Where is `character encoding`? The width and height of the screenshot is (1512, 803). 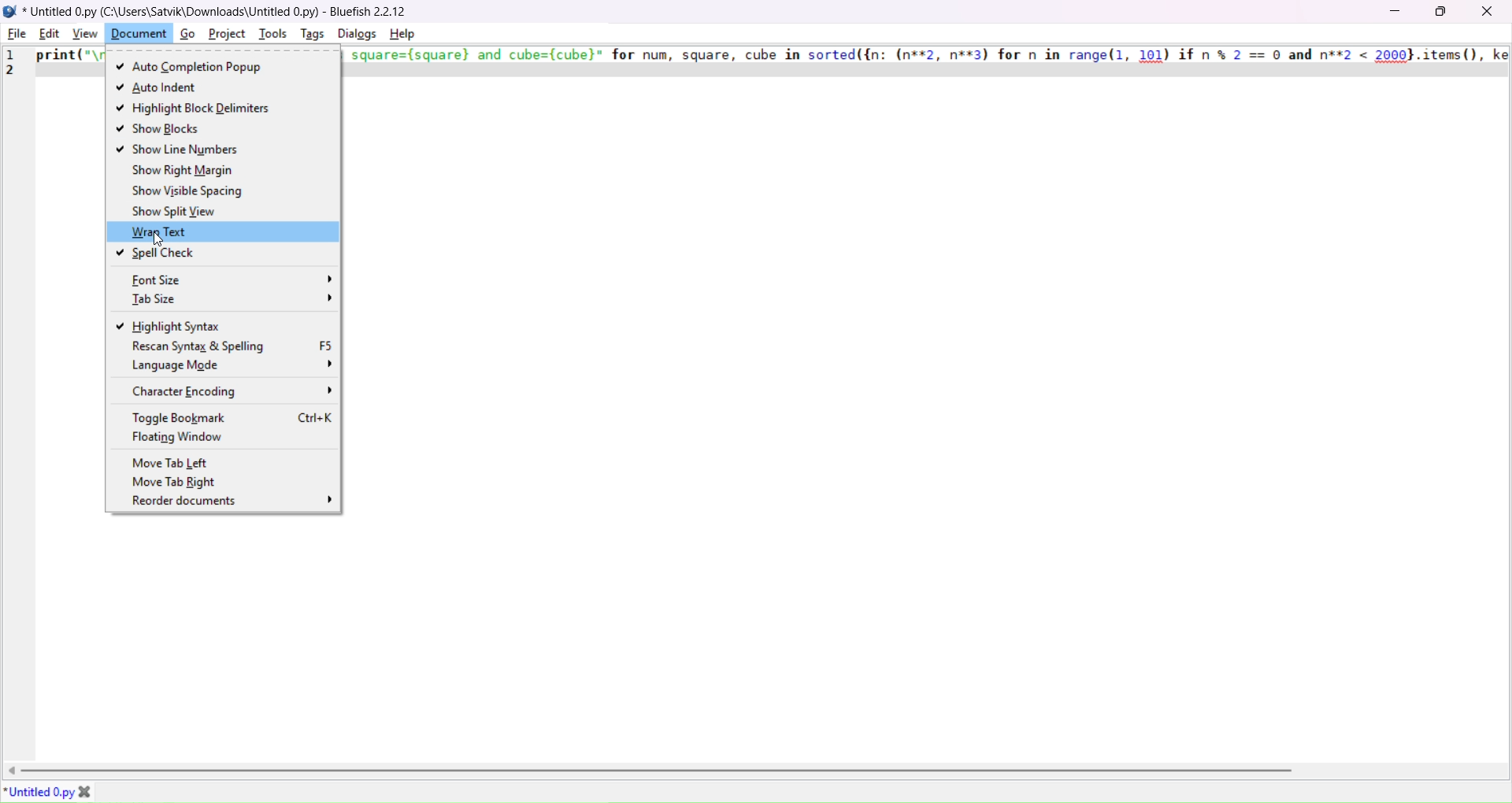
character encoding is located at coordinates (232, 391).